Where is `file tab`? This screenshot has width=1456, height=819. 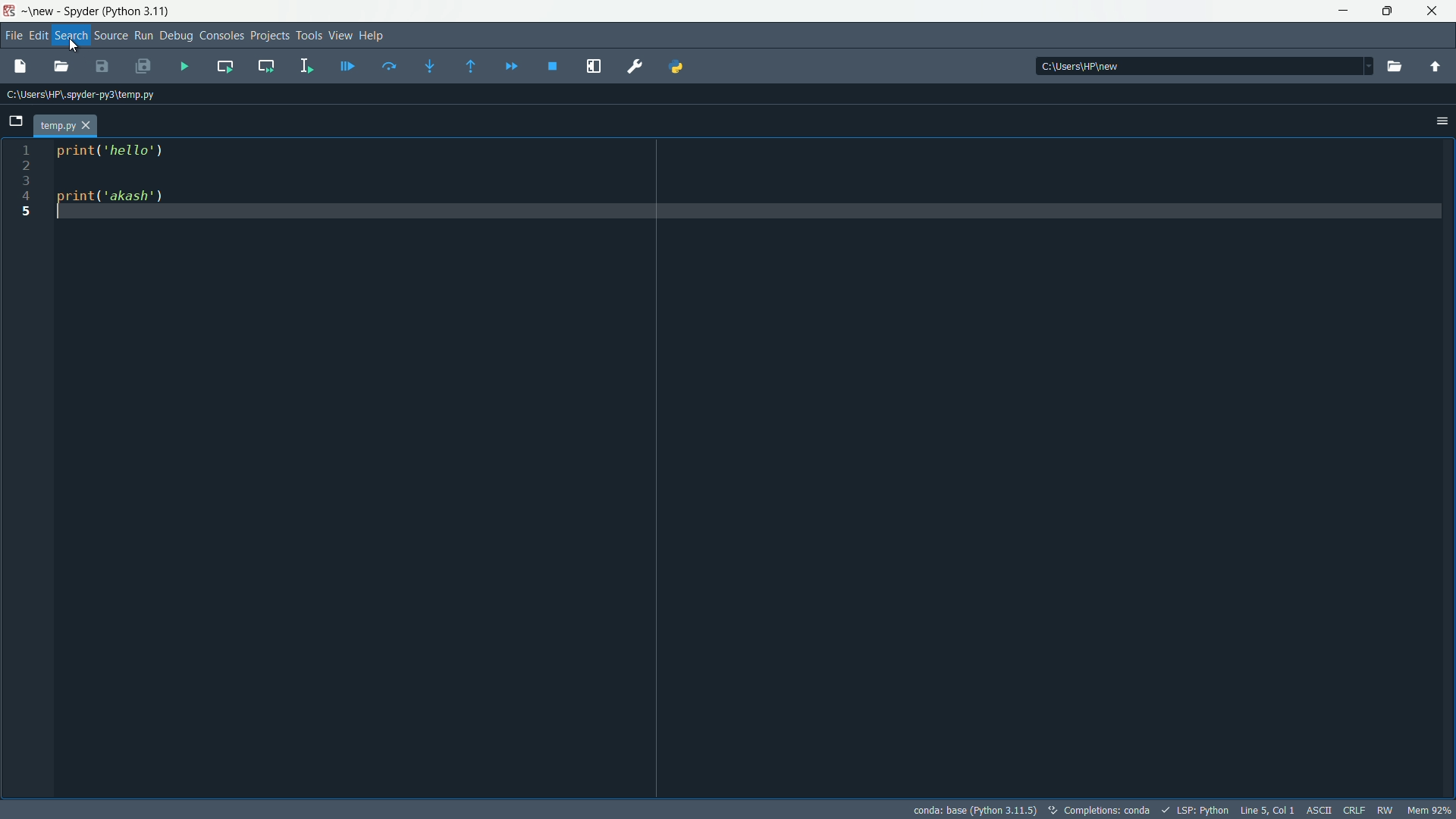
file tab is located at coordinates (64, 127).